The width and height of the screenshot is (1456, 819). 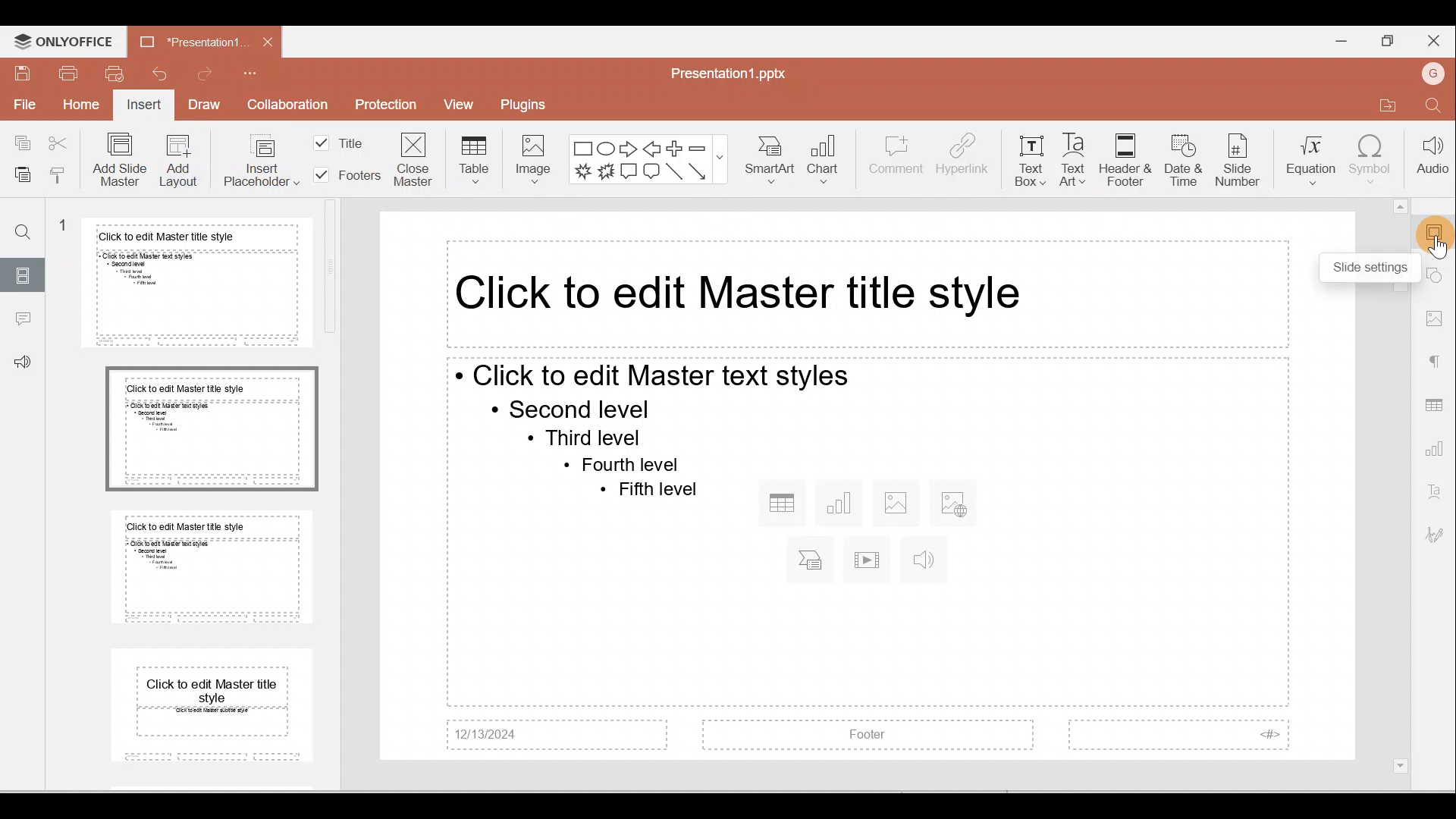 What do you see at coordinates (532, 158) in the screenshot?
I see `Image` at bounding box center [532, 158].